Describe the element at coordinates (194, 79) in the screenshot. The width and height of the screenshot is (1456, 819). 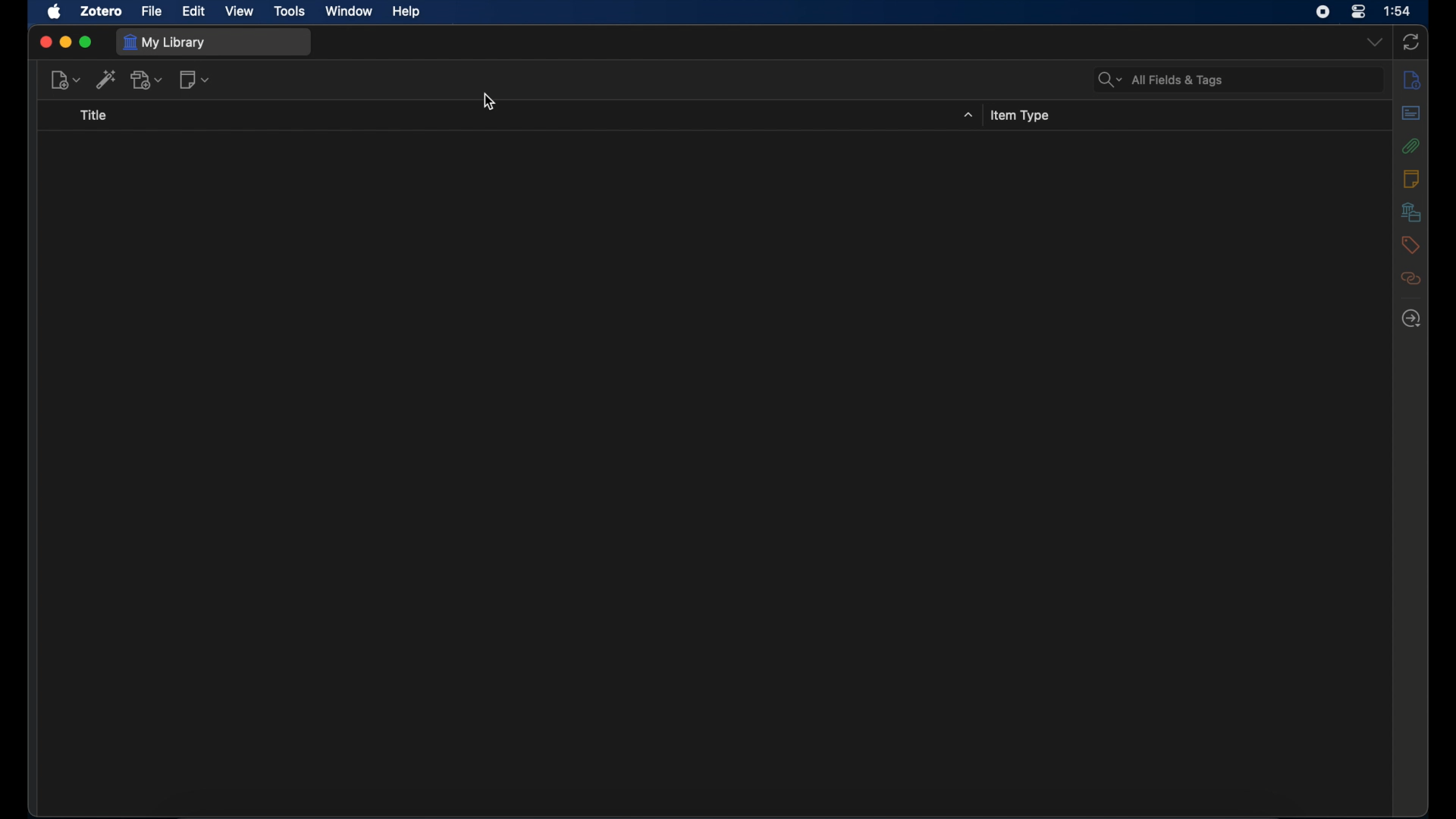
I see `add item by identifier` at that location.